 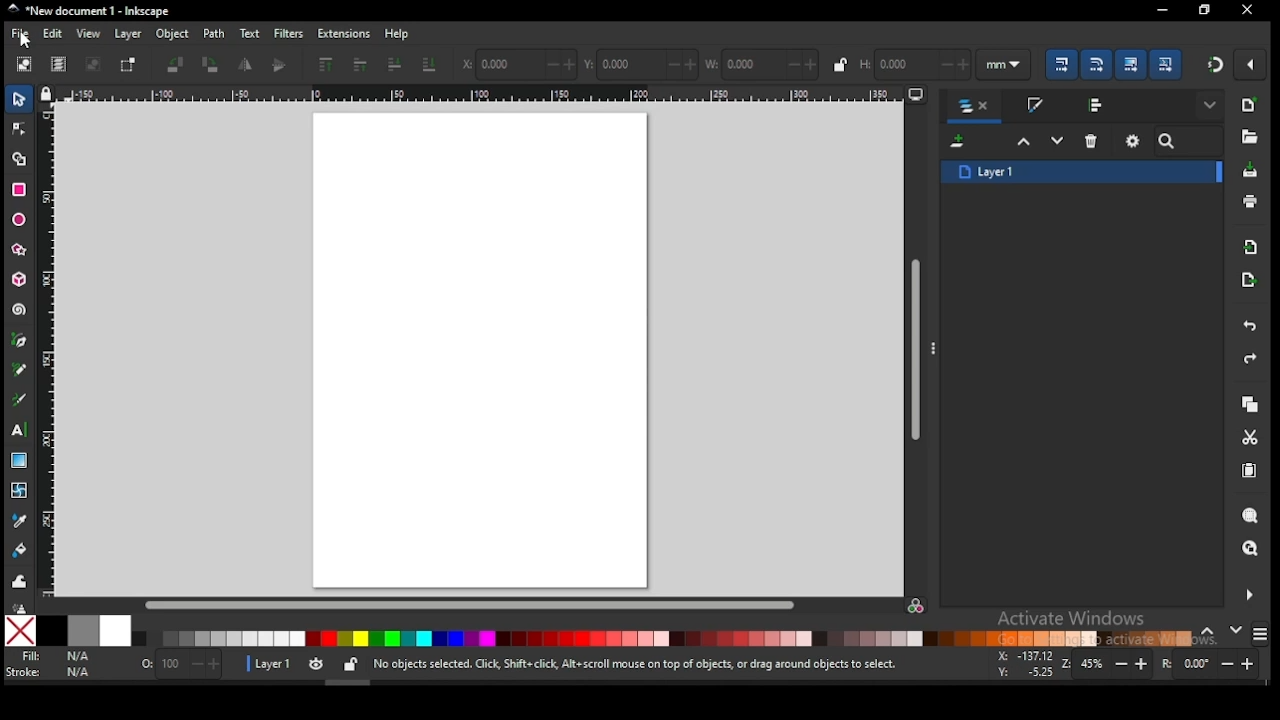 I want to click on snap options, so click(x=1252, y=64).